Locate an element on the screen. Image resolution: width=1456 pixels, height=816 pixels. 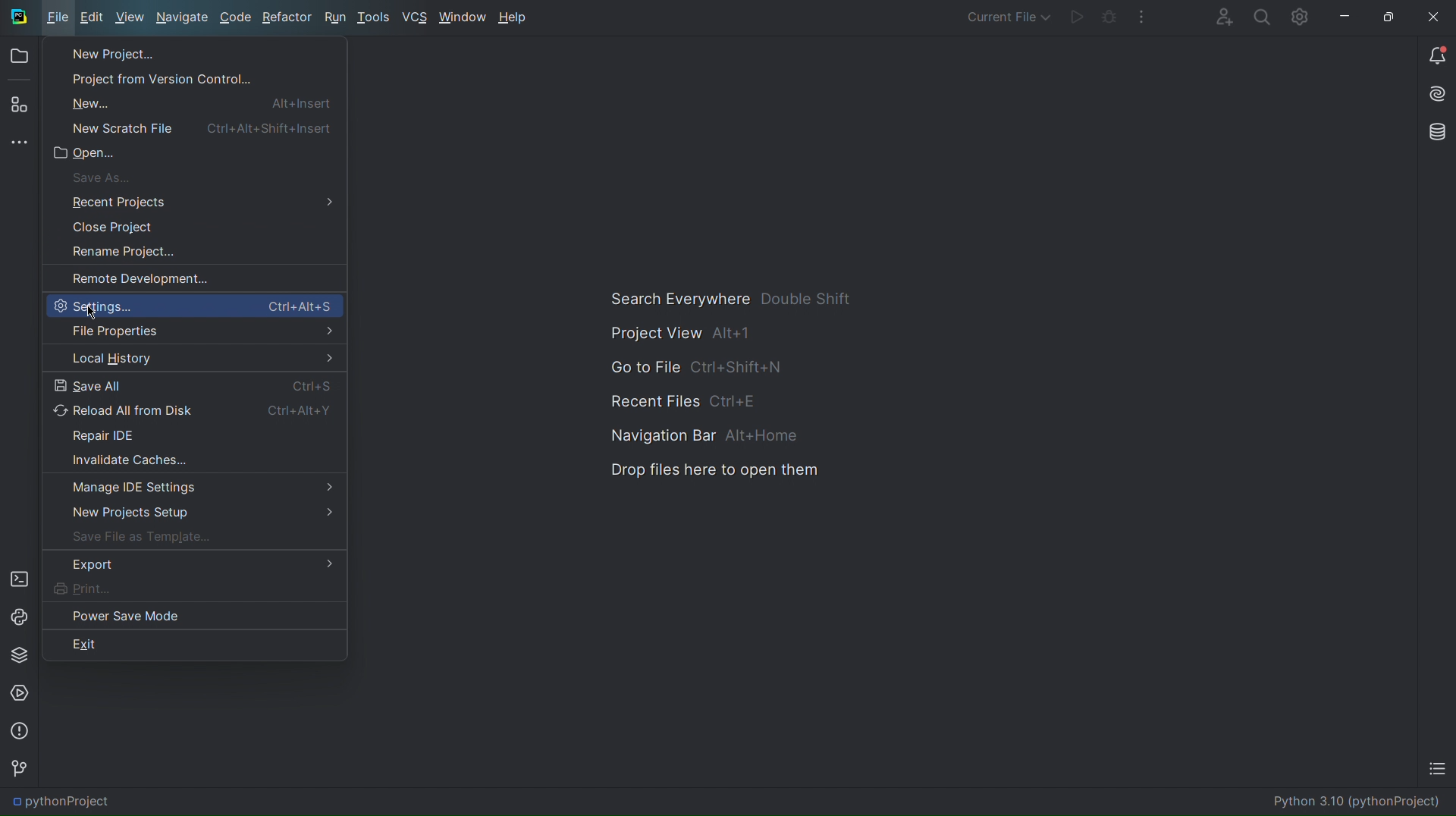
Run is located at coordinates (1077, 19).